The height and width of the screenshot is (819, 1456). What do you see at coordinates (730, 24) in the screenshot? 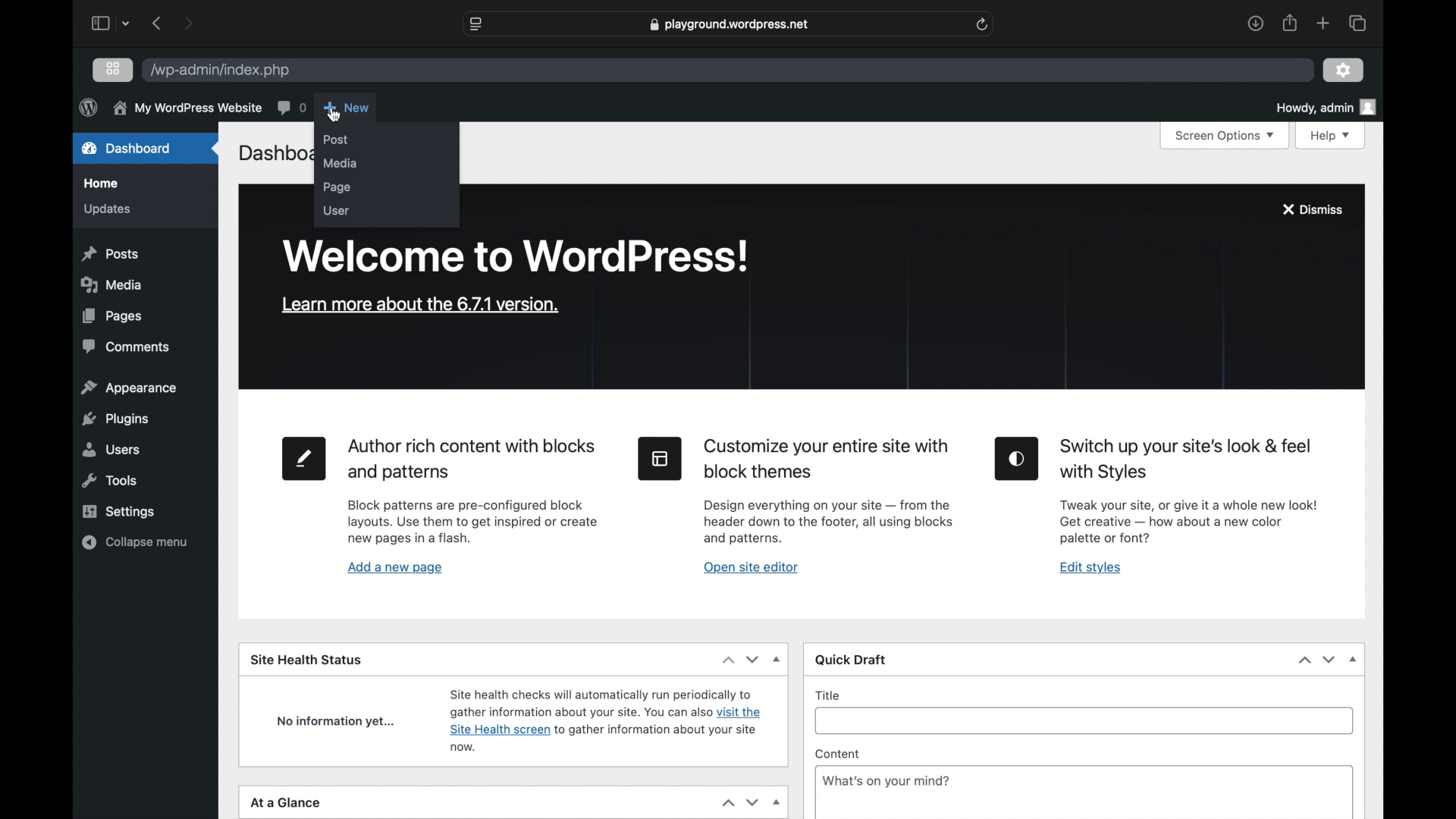
I see `playground.wordpress.net` at bounding box center [730, 24].